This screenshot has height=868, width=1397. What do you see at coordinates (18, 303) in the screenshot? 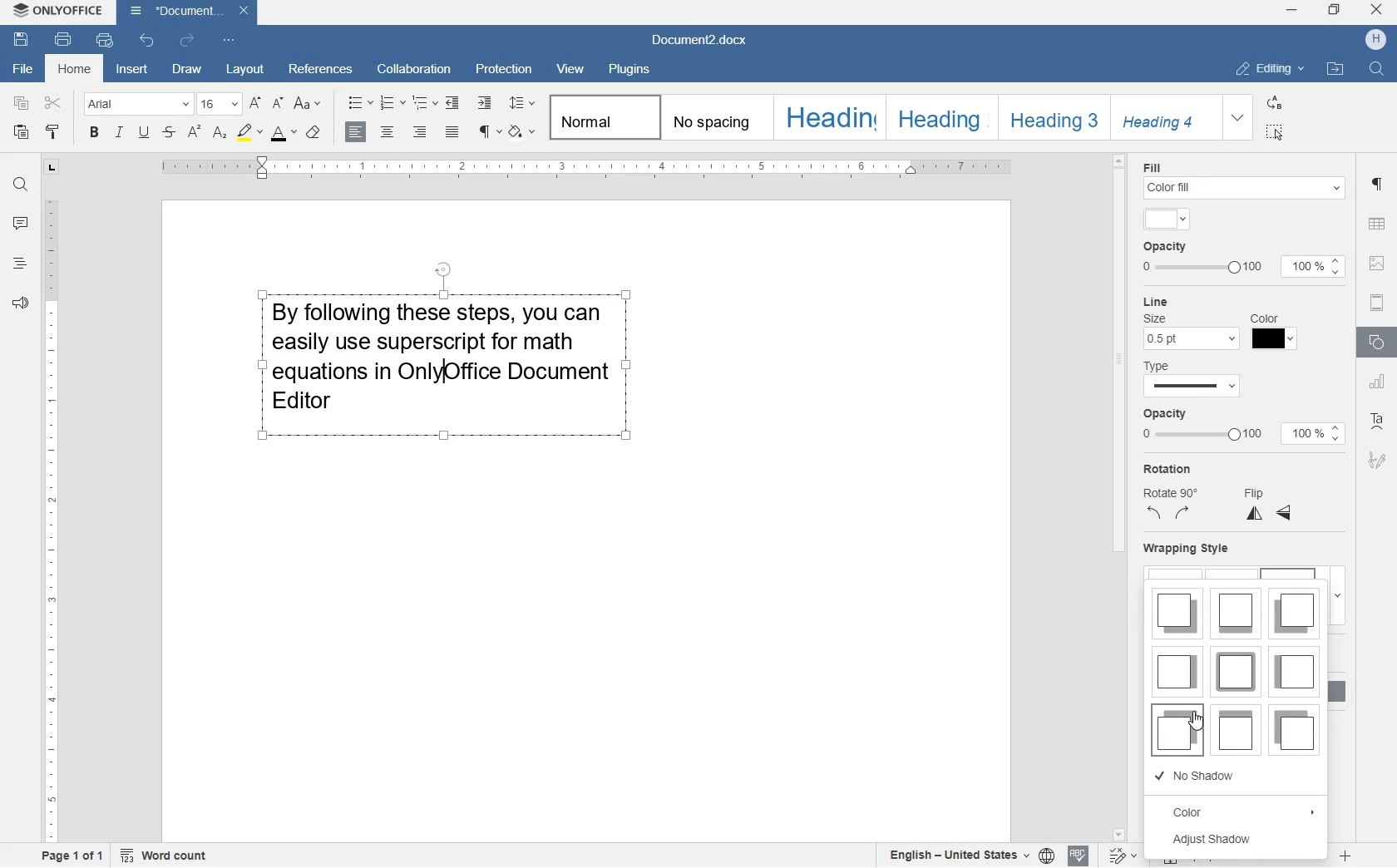
I see `feedback & support` at bounding box center [18, 303].